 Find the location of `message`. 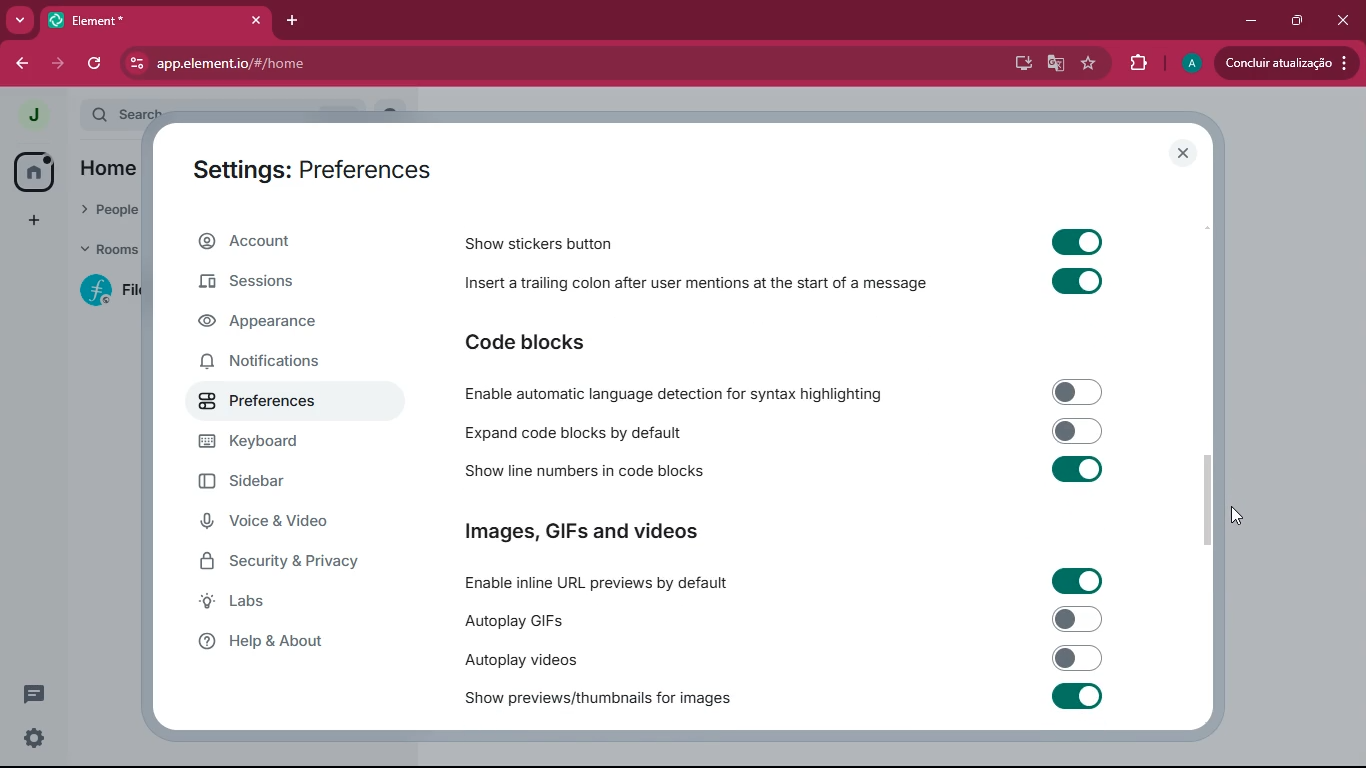

message is located at coordinates (34, 693).